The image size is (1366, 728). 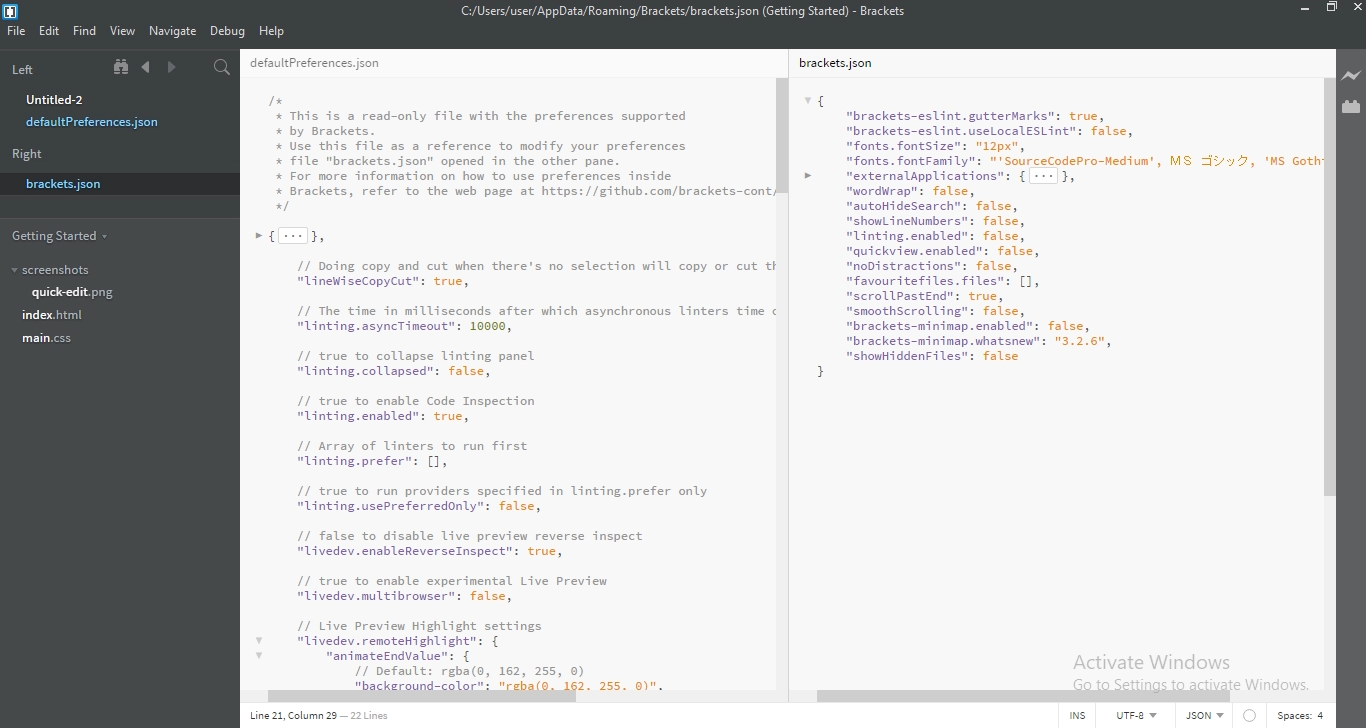 I want to click on scroll bar, so click(x=501, y=697).